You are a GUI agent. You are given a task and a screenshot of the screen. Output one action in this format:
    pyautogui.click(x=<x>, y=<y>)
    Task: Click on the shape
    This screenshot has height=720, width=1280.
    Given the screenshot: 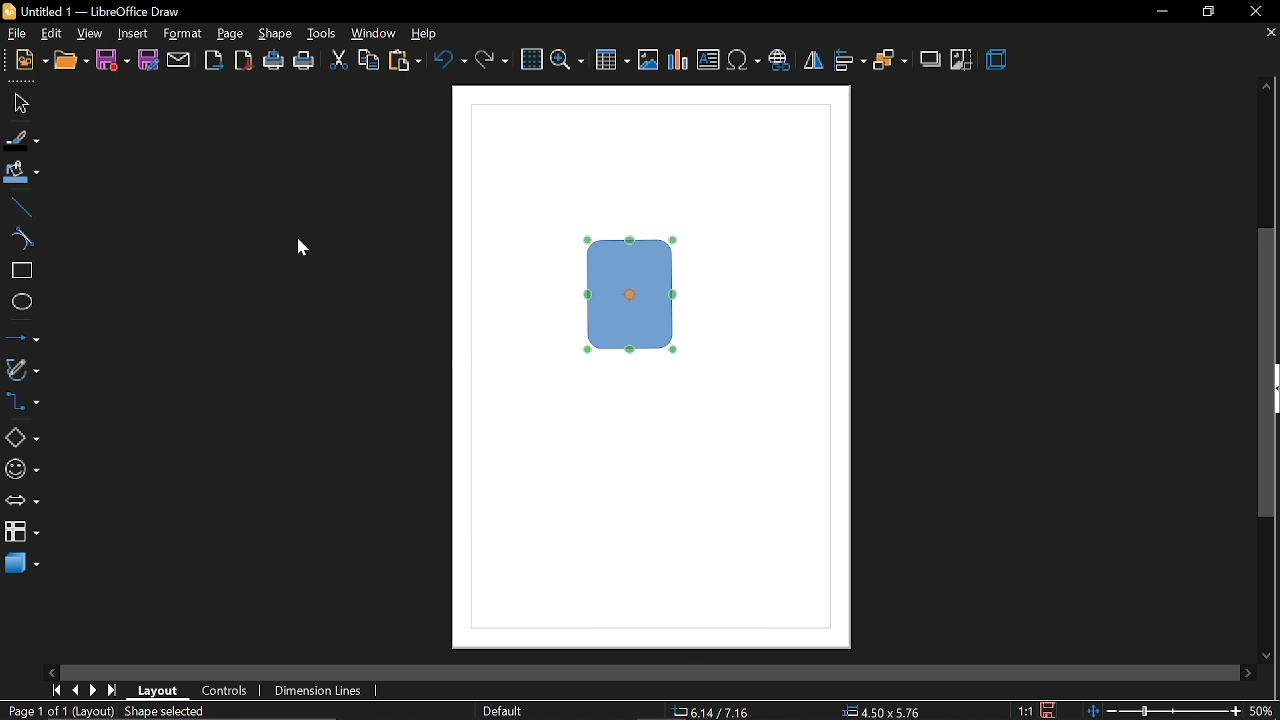 What is the action you would take?
    pyautogui.click(x=276, y=33)
    